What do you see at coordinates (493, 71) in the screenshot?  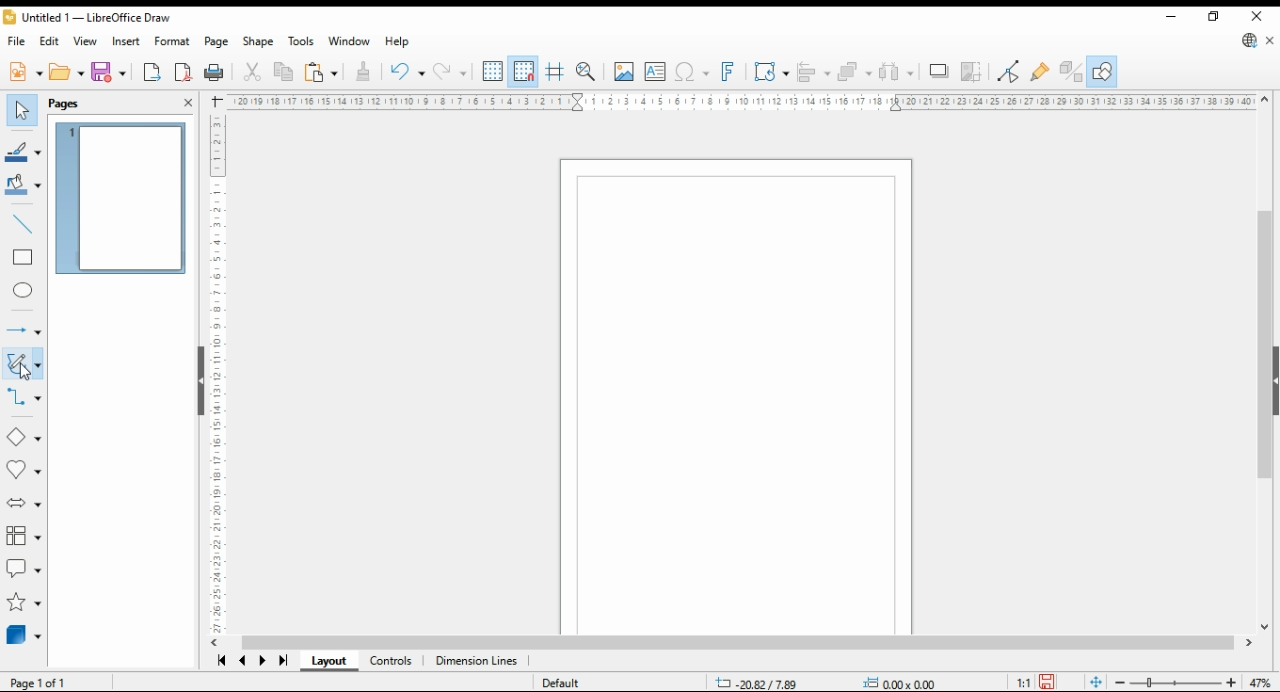 I see `show grid` at bounding box center [493, 71].